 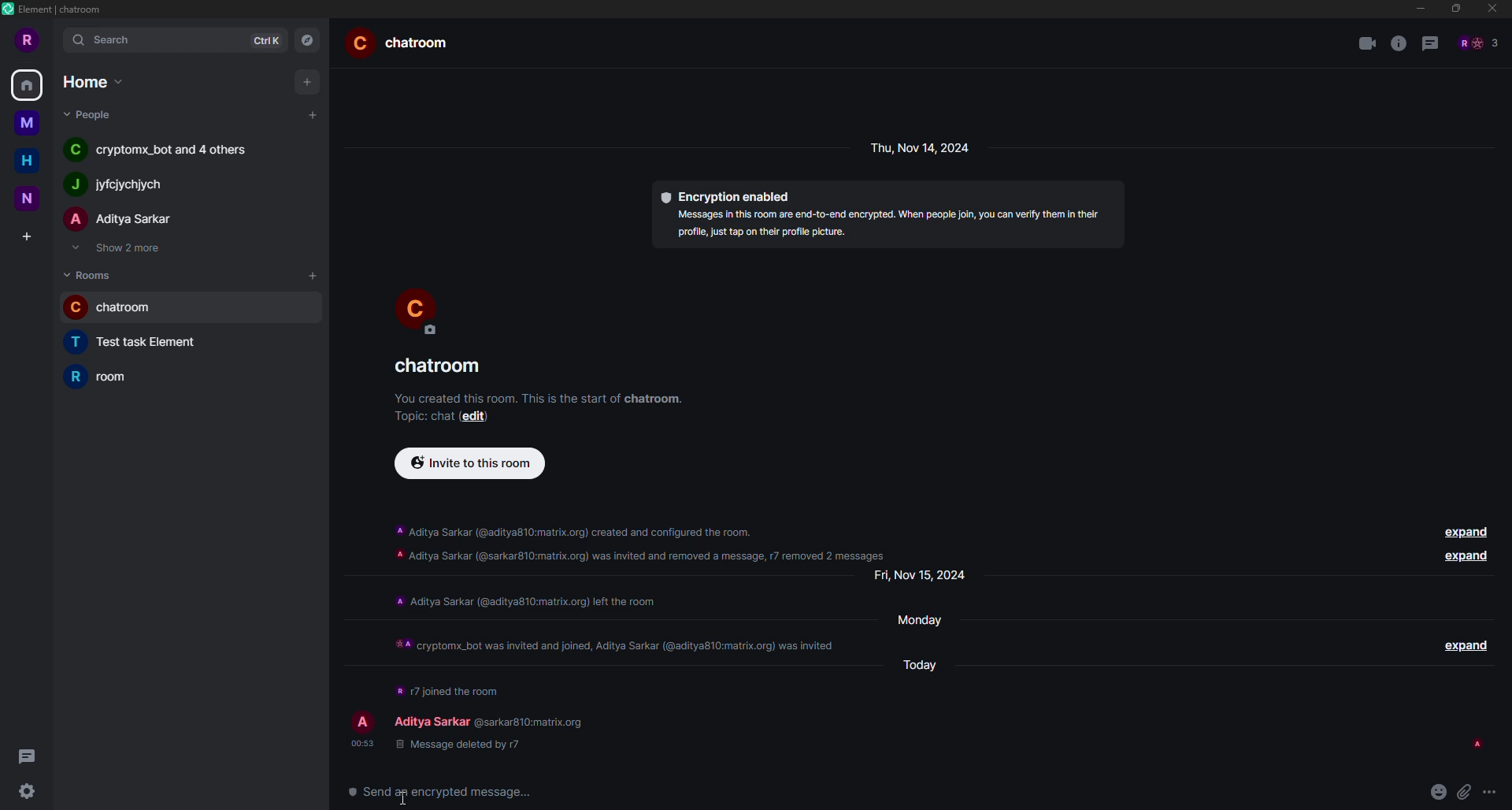 I want to click on add, so click(x=314, y=114).